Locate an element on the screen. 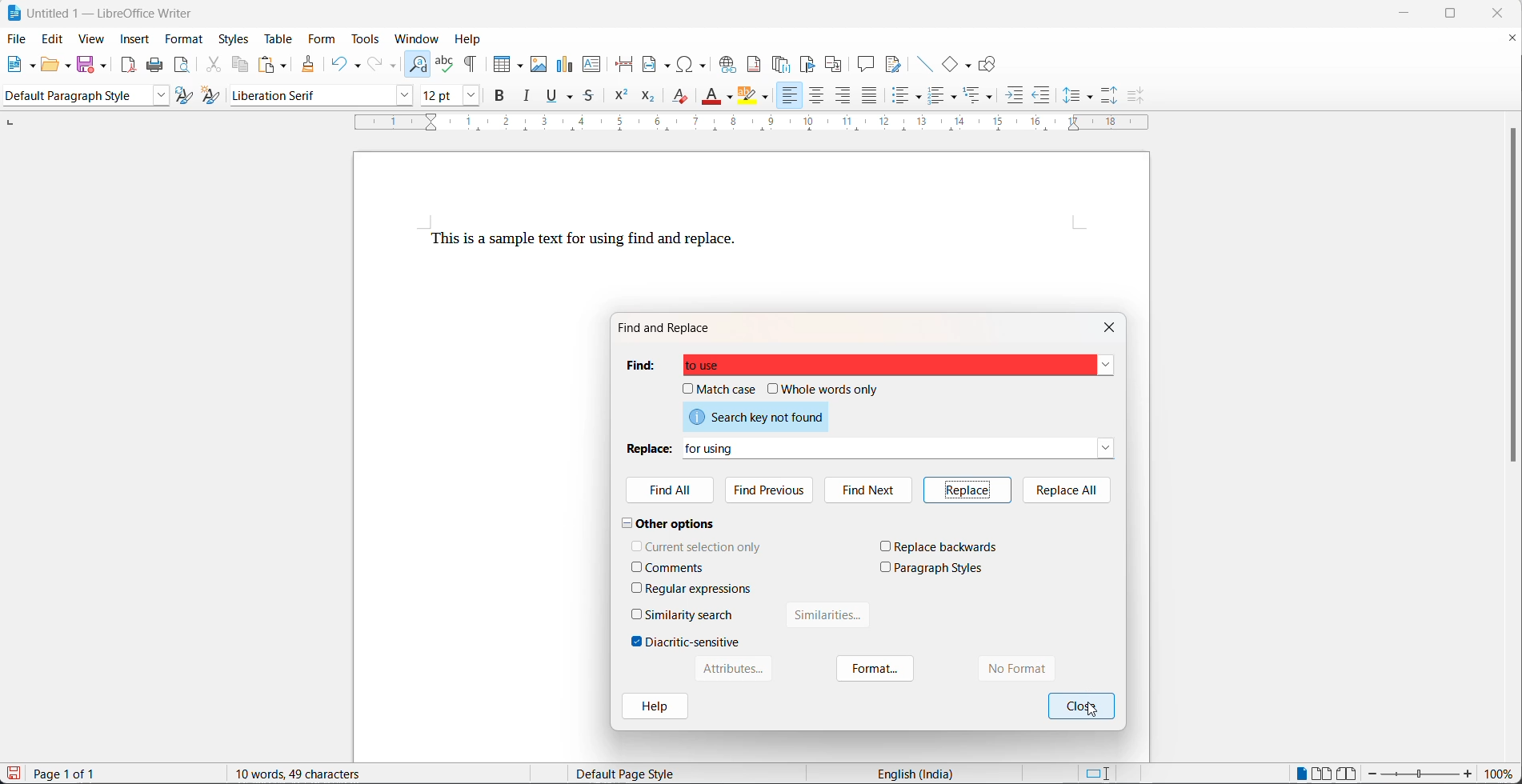 This screenshot has width=1522, height=784. close is located at coordinates (1503, 13).